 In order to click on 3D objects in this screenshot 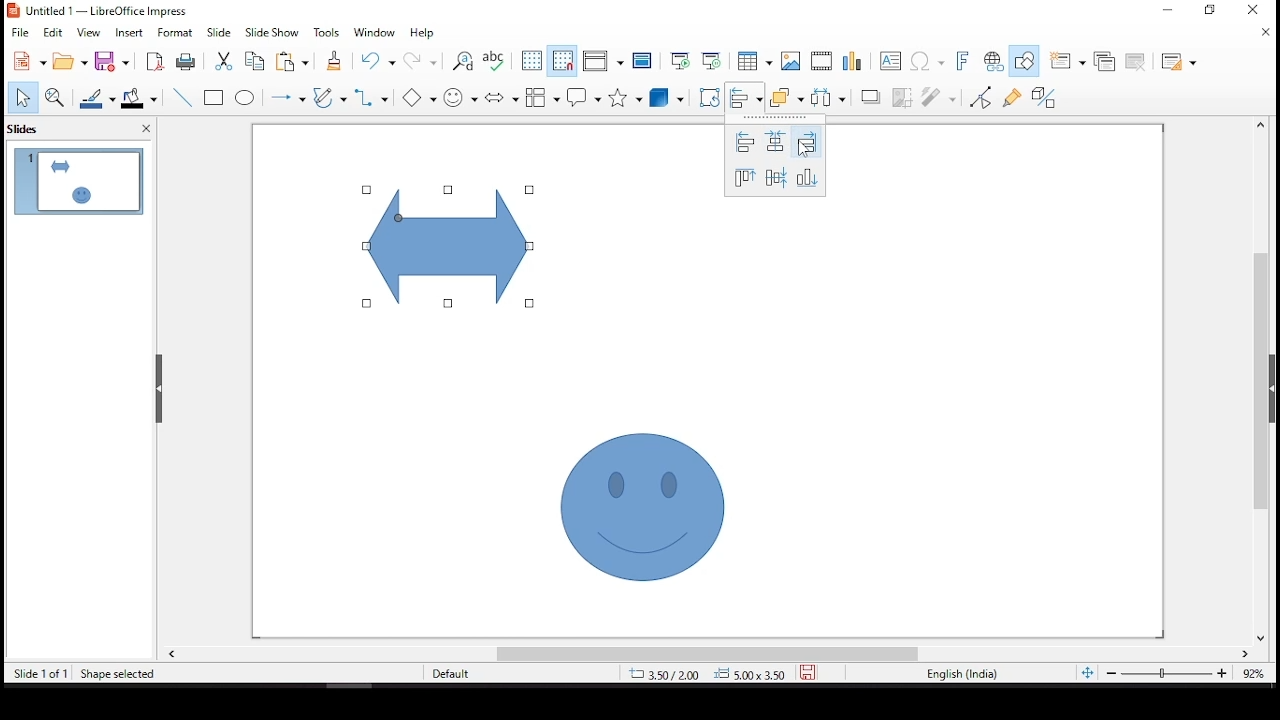, I will do `click(665, 98)`.